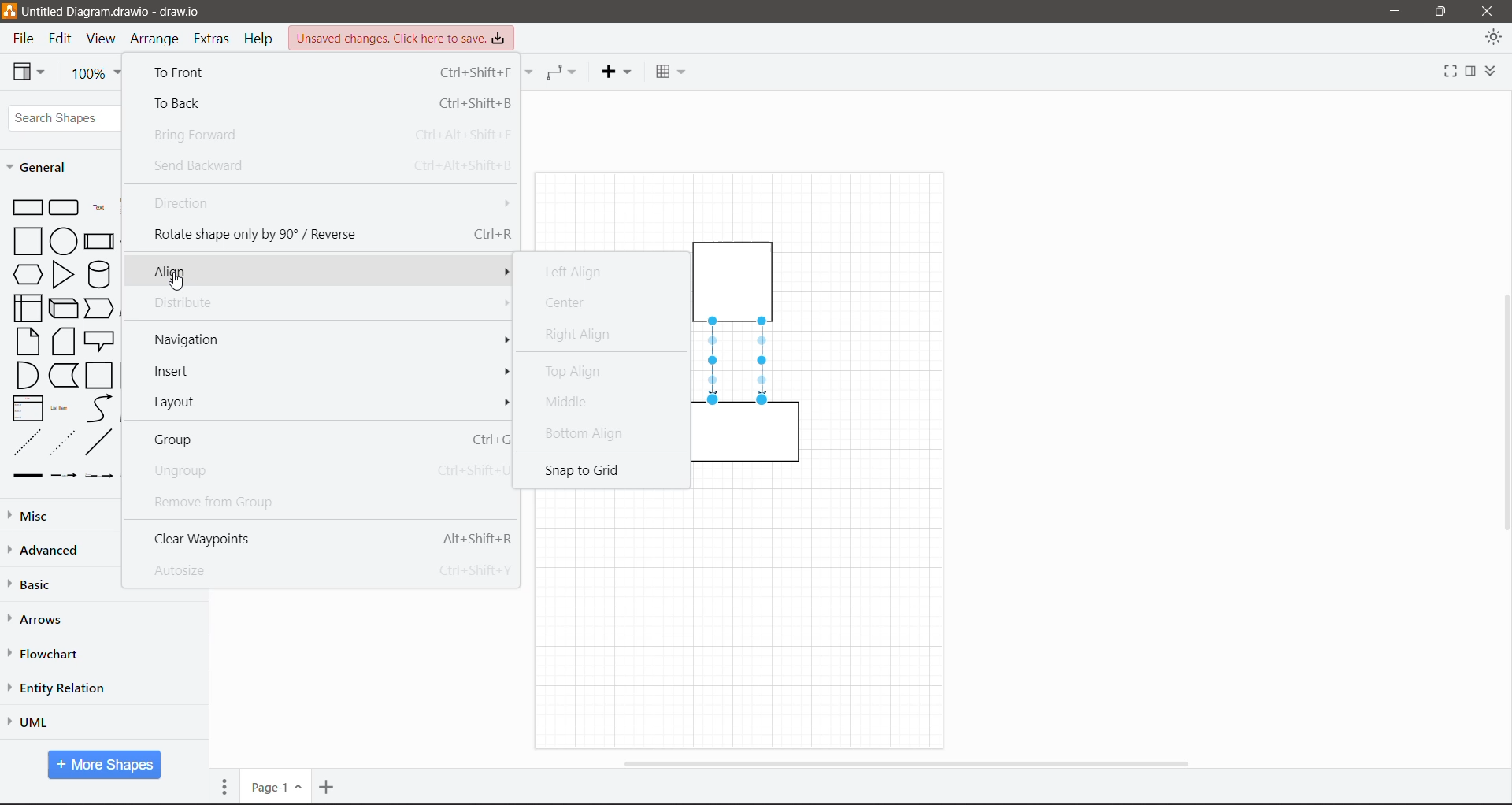  Describe the element at coordinates (329, 165) in the screenshot. I see `Send Backward` at that location.